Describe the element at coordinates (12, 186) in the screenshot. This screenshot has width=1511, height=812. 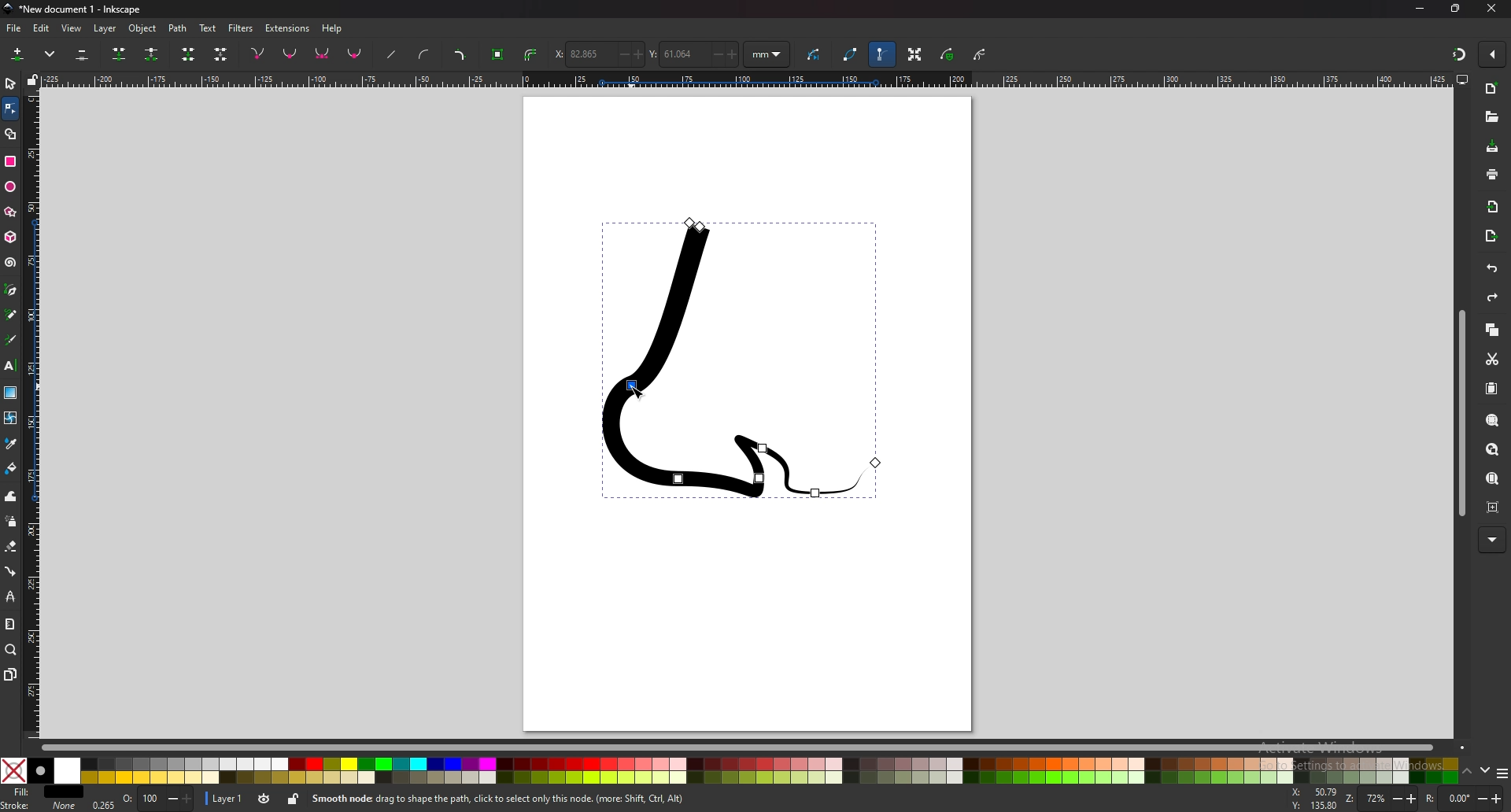
I see `ellipse` at that location.